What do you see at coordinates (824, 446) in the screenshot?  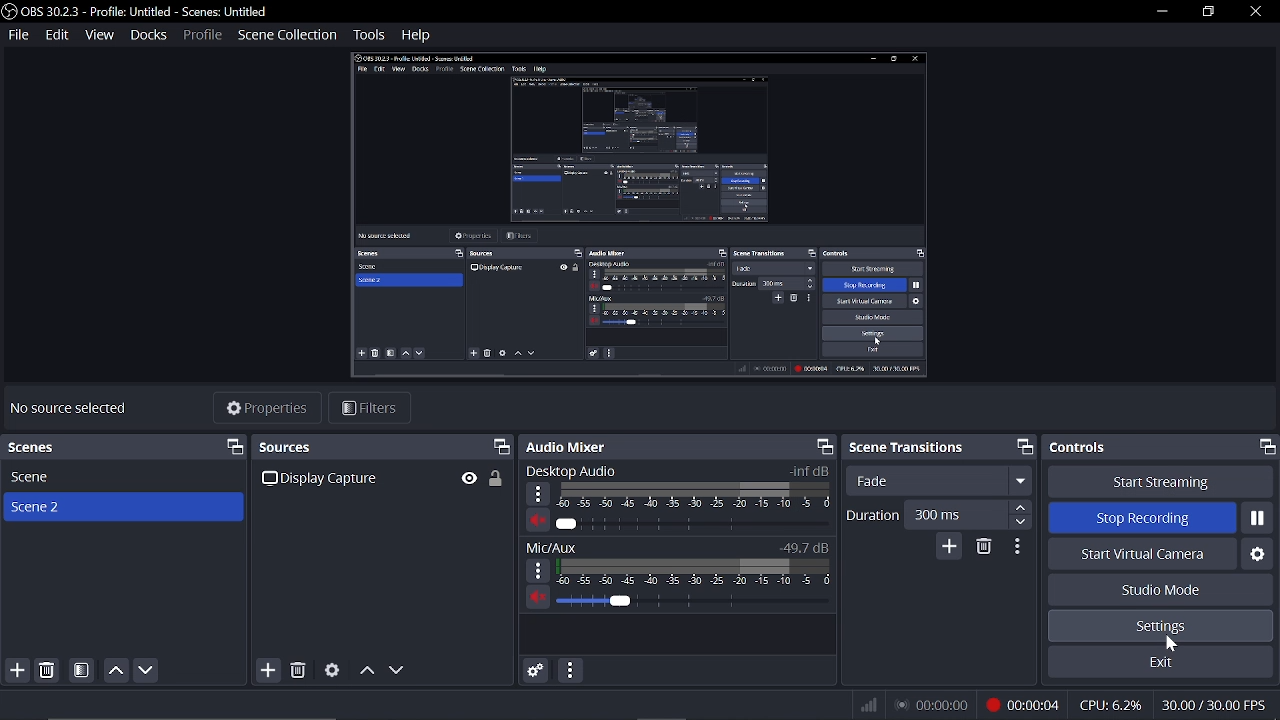 I see `toggle audio mixer` at bounding box center [824, 446].